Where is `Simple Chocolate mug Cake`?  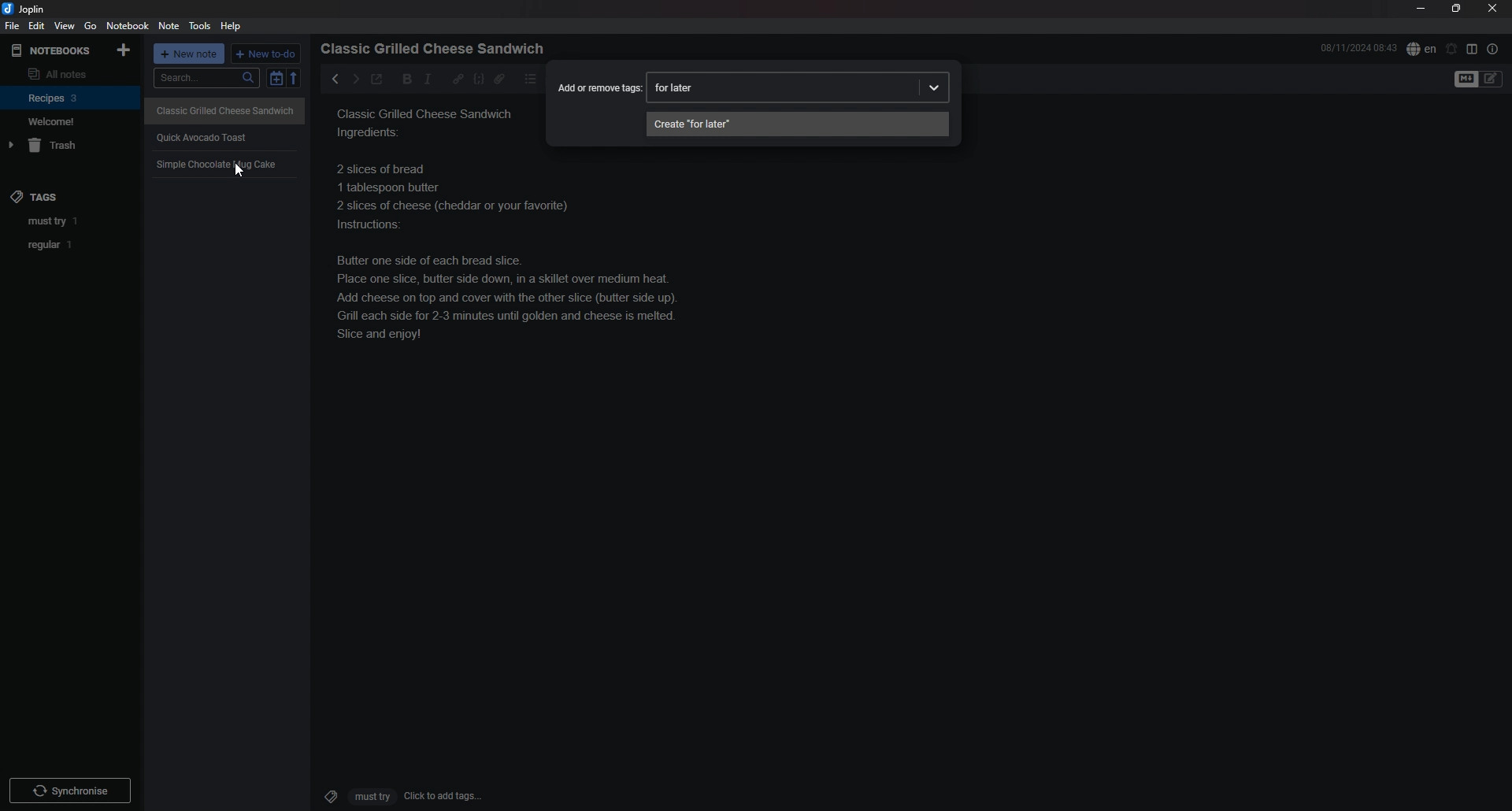 Simple Chocolate mug Cake is located at coordinates (218, 165).